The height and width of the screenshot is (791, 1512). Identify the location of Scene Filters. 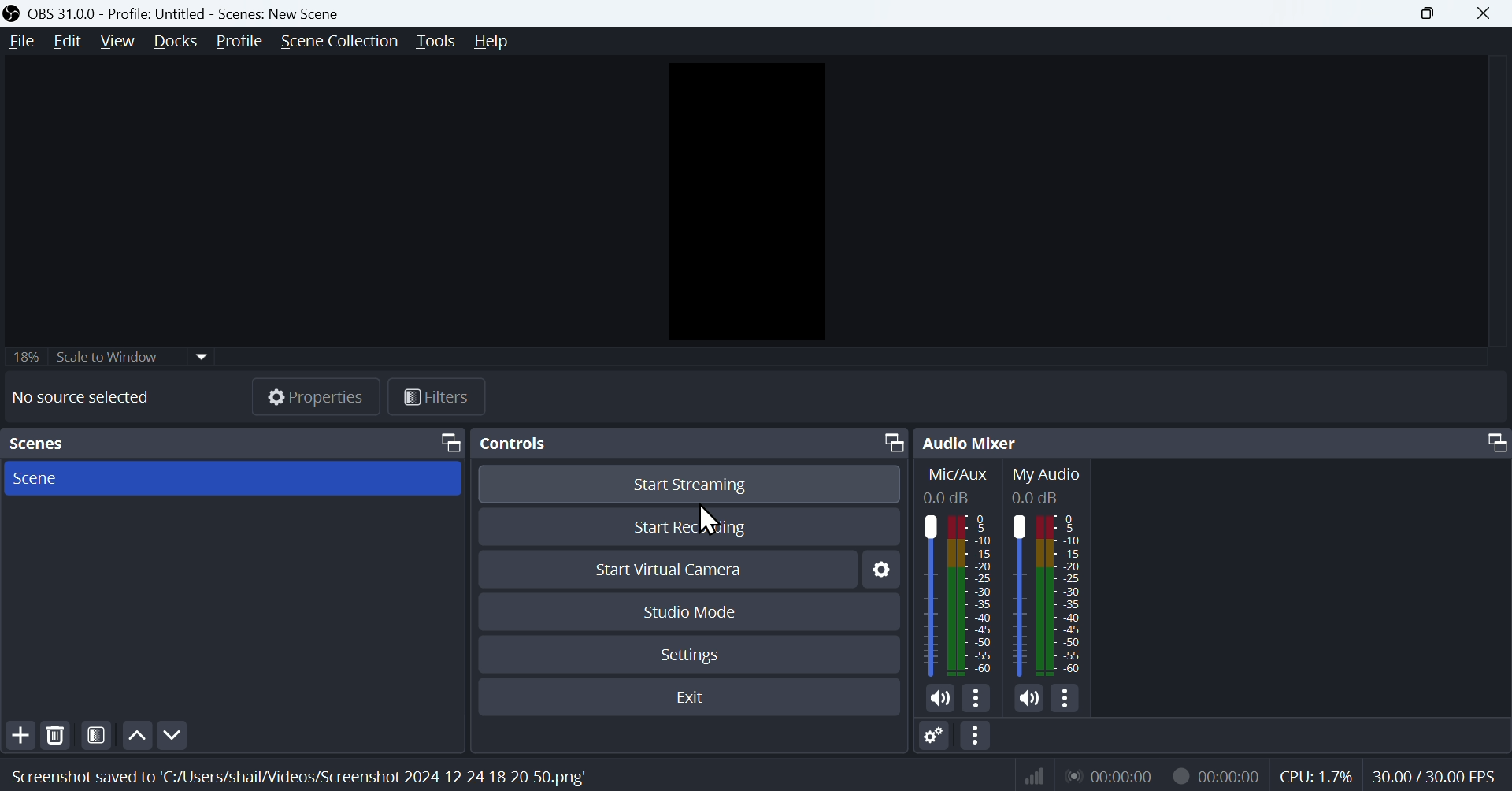
(93, 733).